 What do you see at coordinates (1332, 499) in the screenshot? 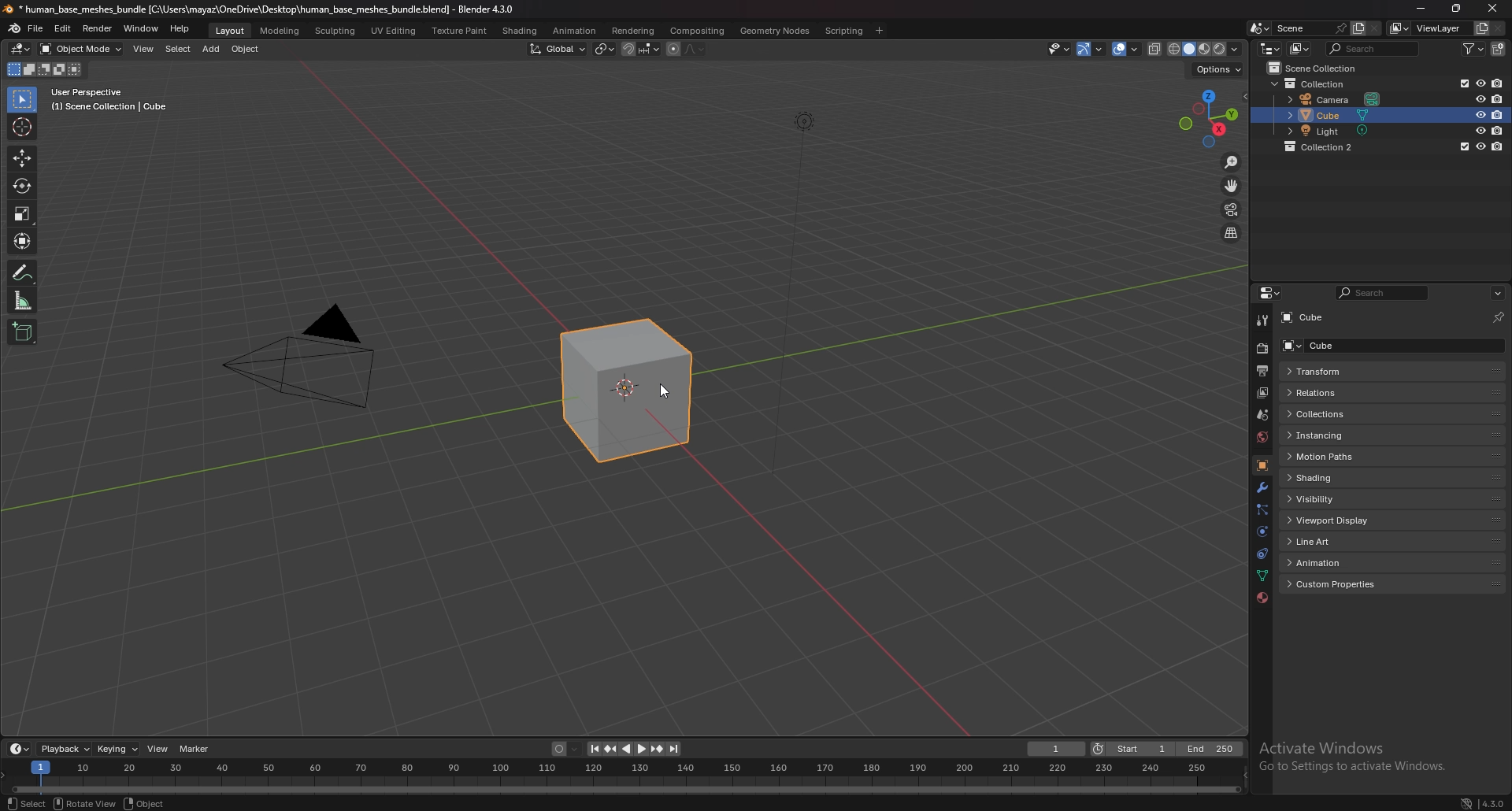
I see `visibility` at bounding box center [1332, 499].